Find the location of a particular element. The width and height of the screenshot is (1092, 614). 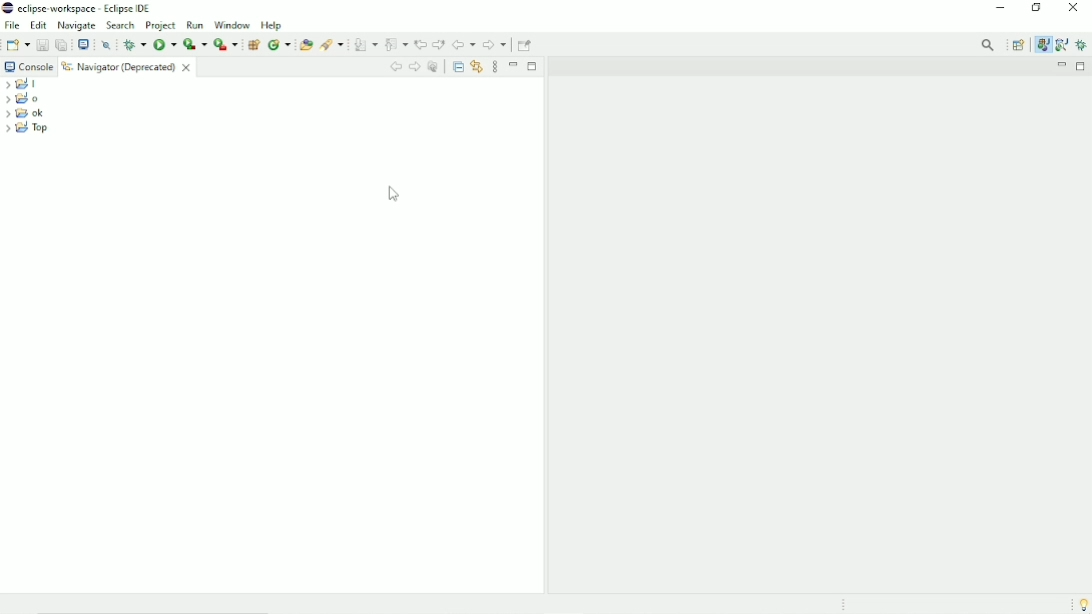

Open a terminal is located at coordinates (83, 43).